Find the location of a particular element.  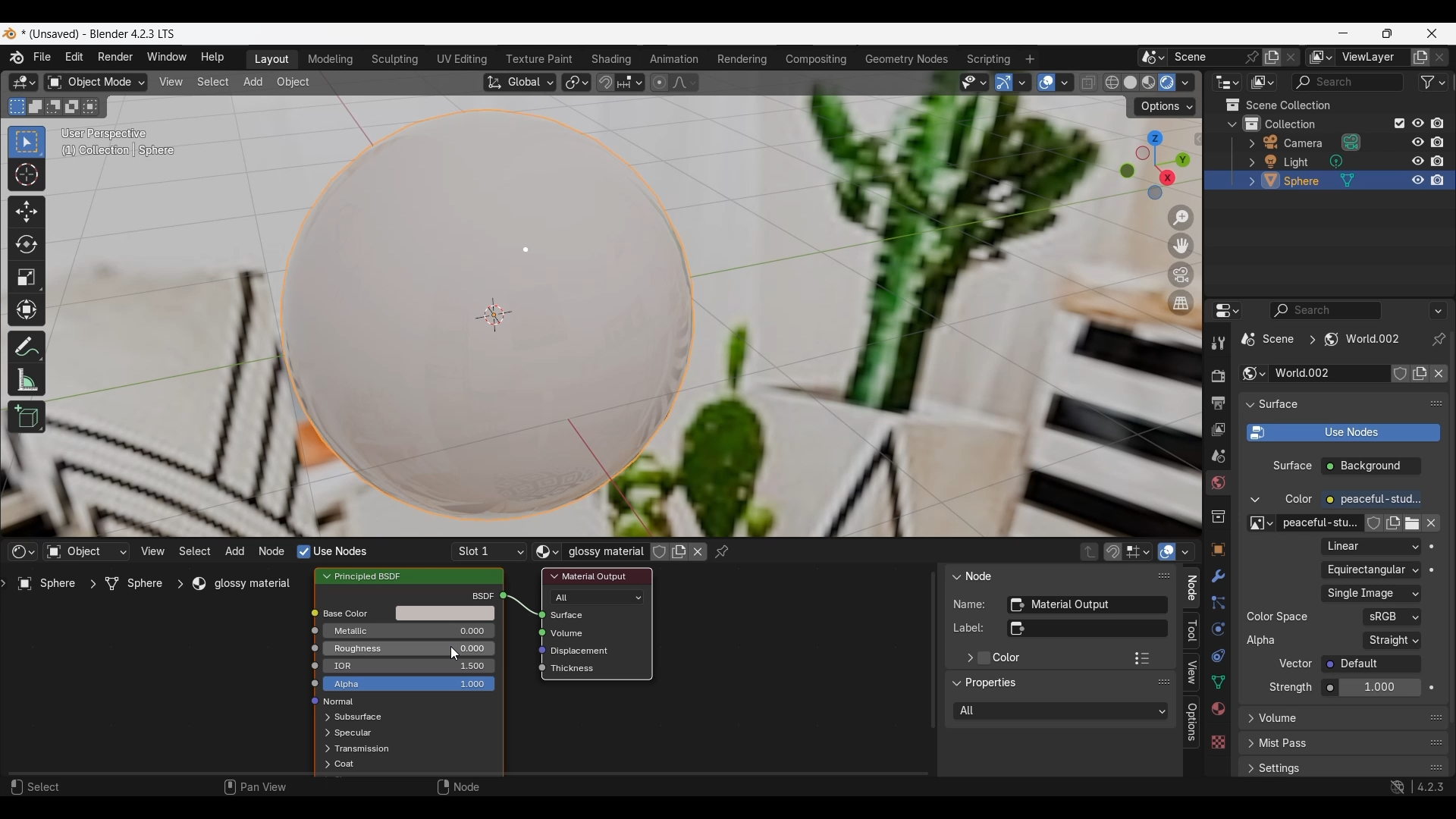

* (Unsaved) - Blender 4.2.3 LTS is located at coordinates (103, 34).